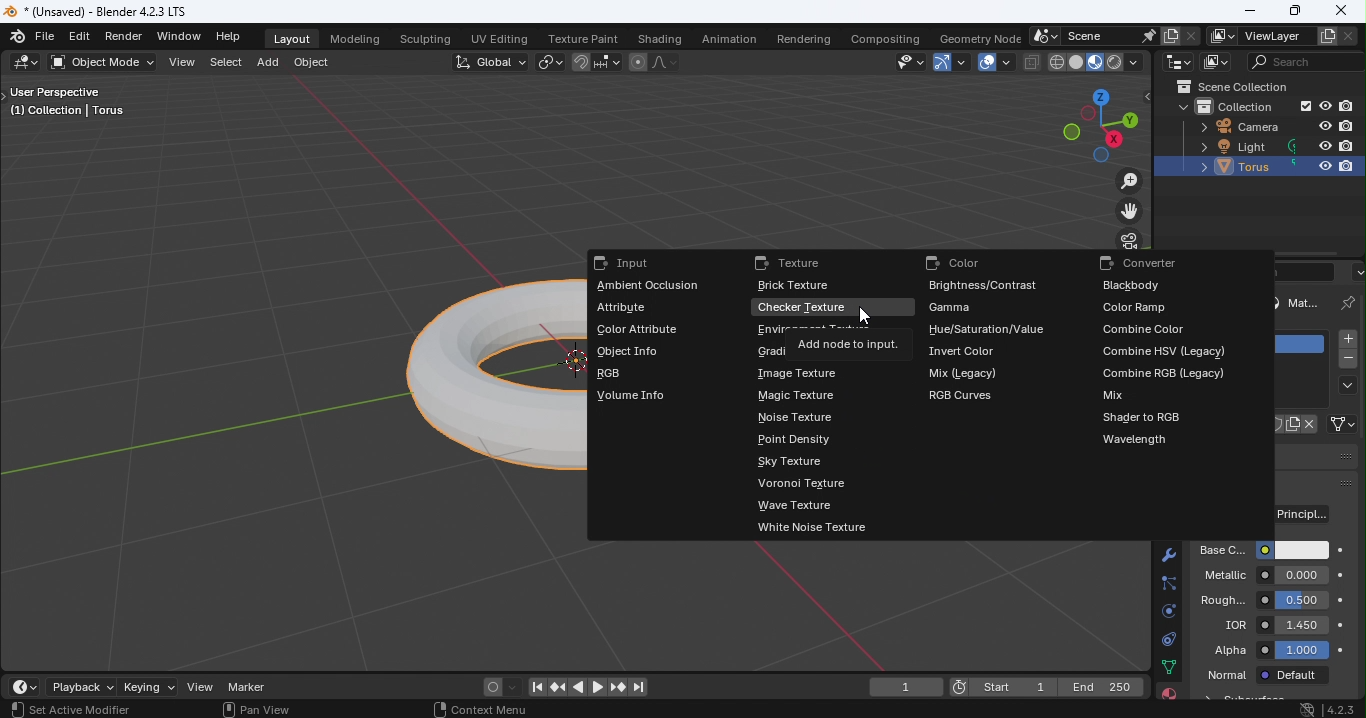 This screenshot has height=718, width=1366. I want to click on View layer, so click(1271, 35).